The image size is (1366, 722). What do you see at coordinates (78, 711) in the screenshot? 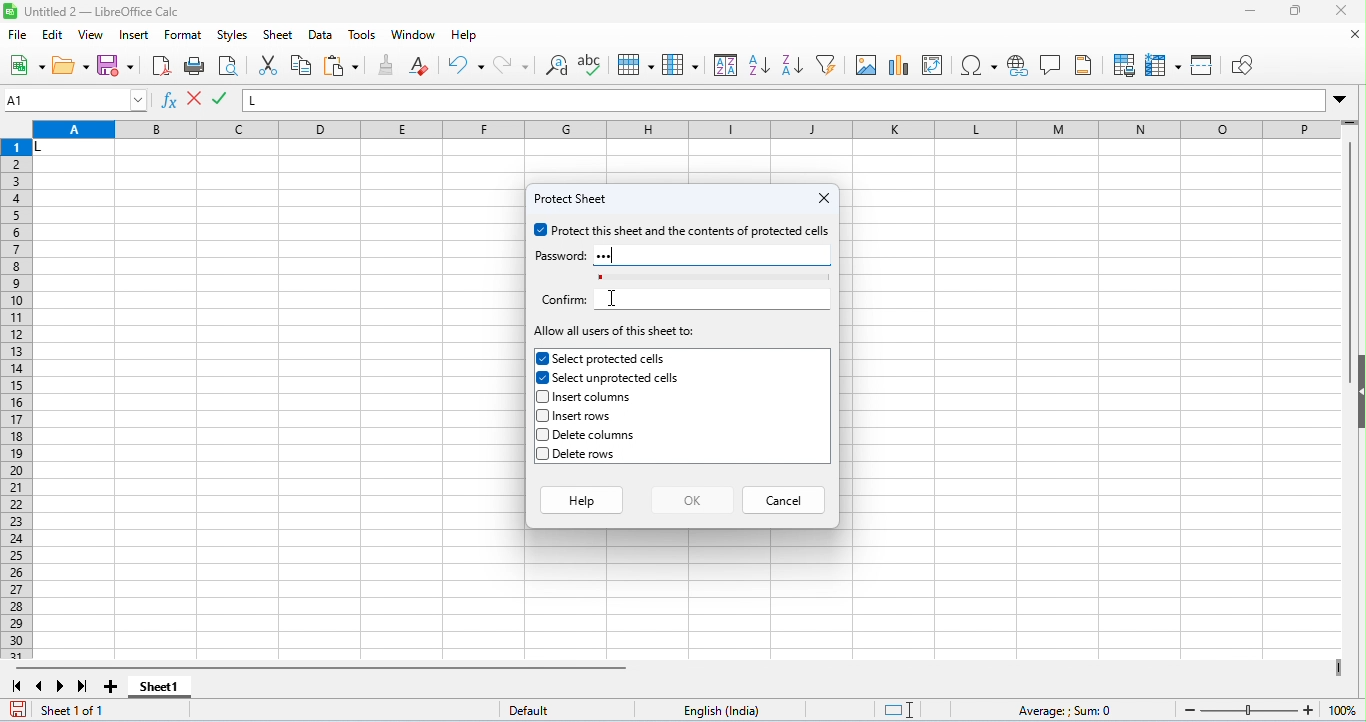
I see `sheet 1 of 1` at bounding box center [78, 711].